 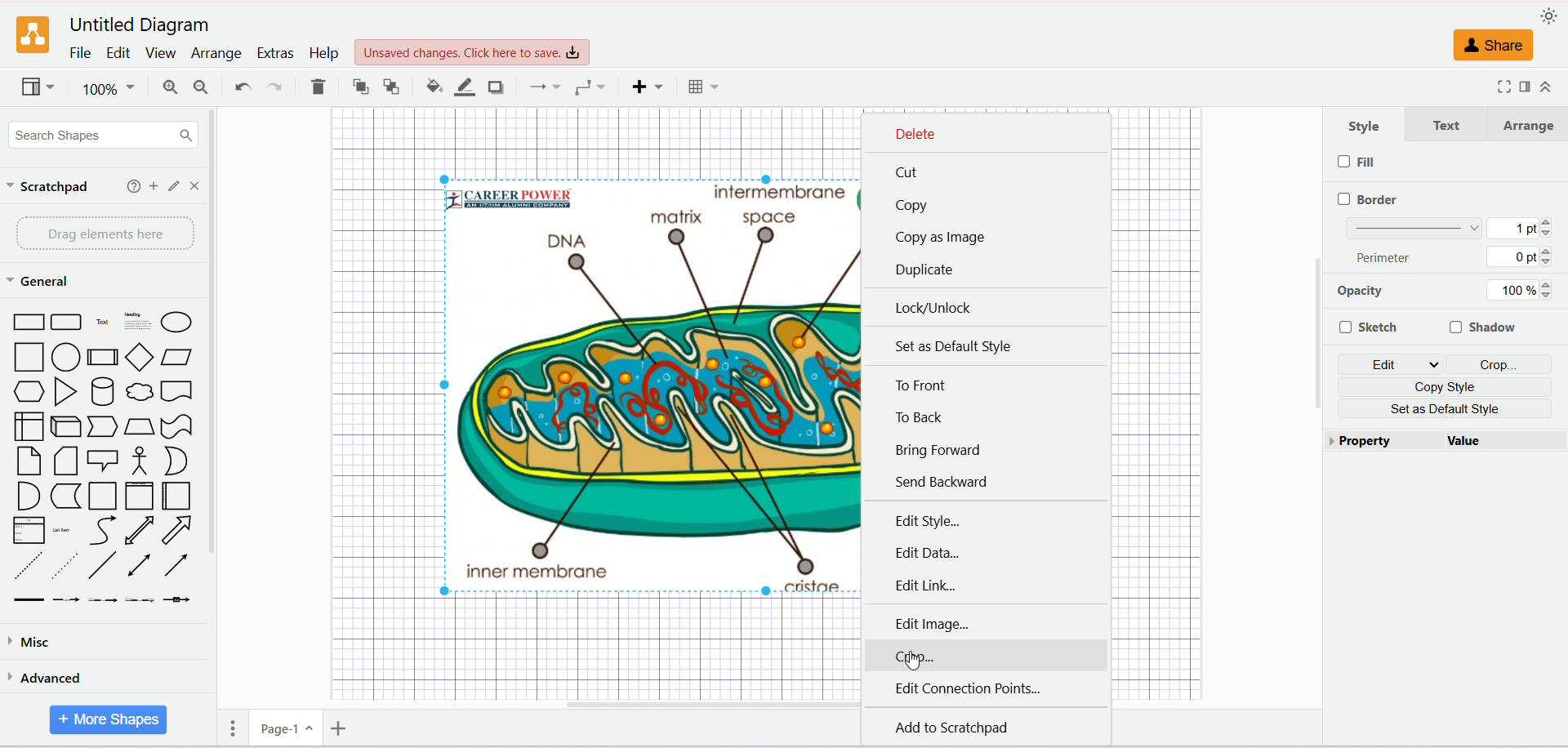 What do you see at coordinates (928, 269) in the screenshot?
I see `duplicate` at bounding box center [928, 269].